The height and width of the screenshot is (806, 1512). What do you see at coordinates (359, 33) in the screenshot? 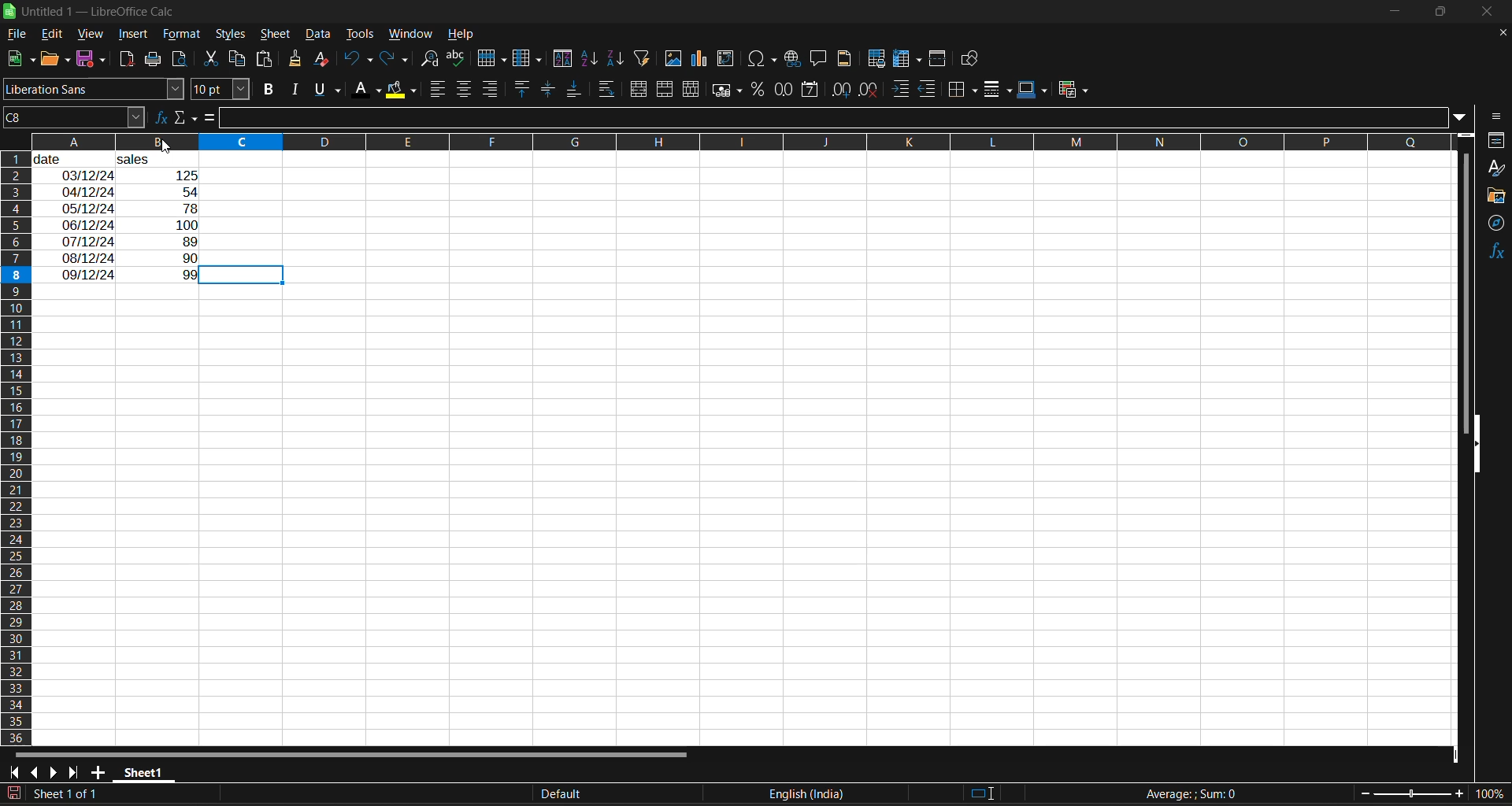
I see `tools` at bounding box center [359, 33].